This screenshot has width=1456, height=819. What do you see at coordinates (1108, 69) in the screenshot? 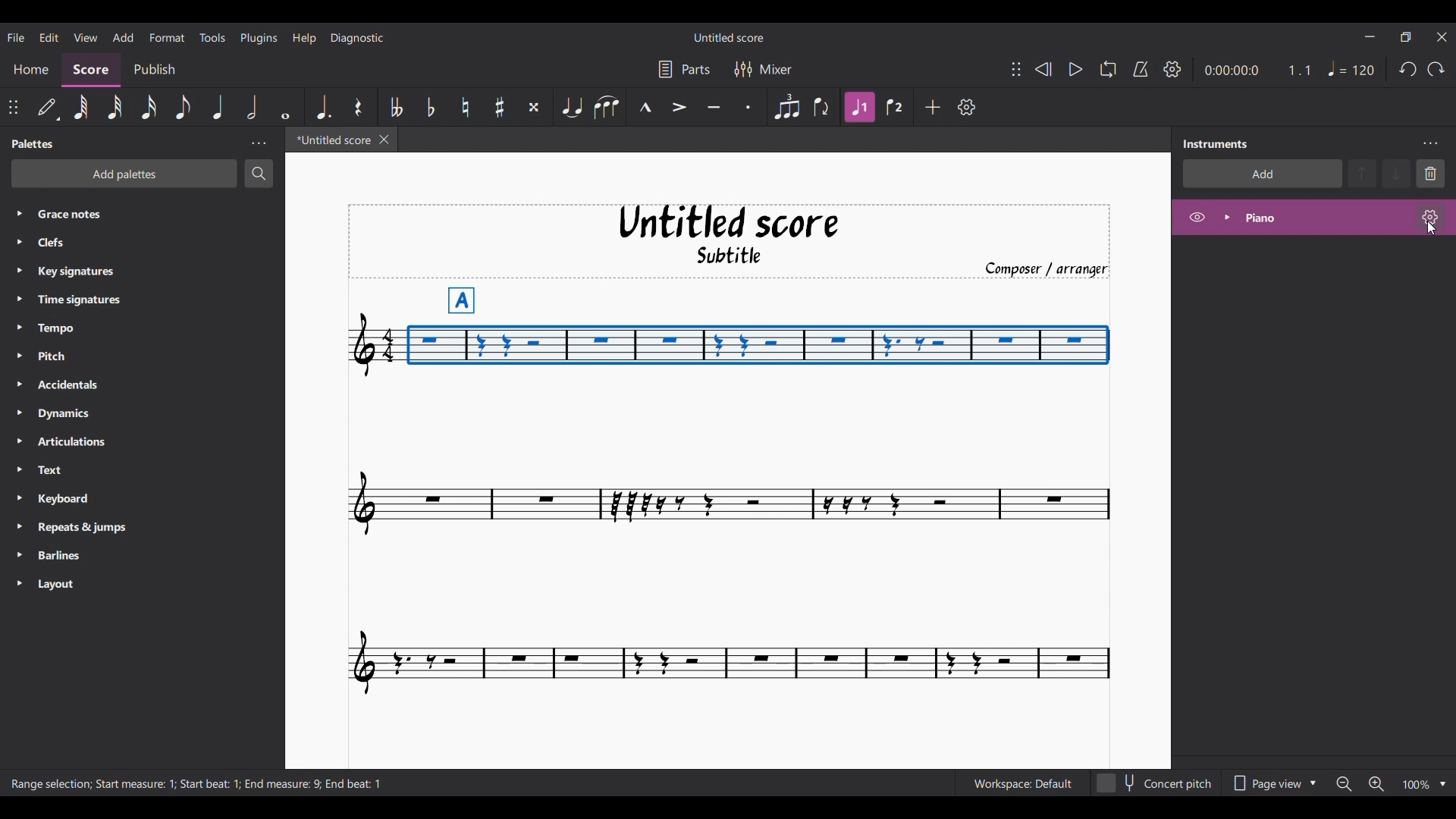
I see `Loop playback` at bounding box center [1108, 69].